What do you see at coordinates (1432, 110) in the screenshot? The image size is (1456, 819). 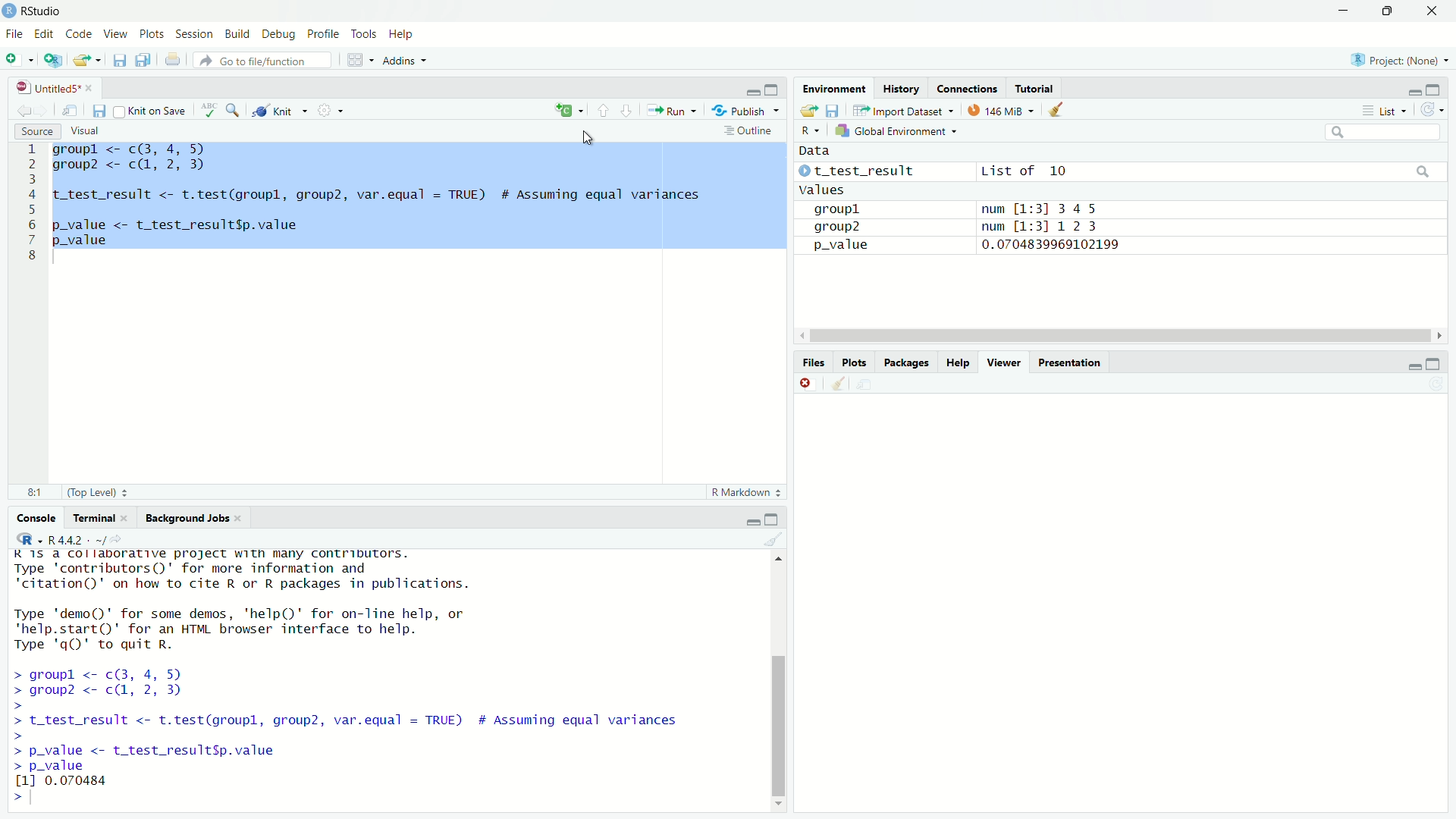 I see `refresh the workspace` at bounding box center [1432, 110].